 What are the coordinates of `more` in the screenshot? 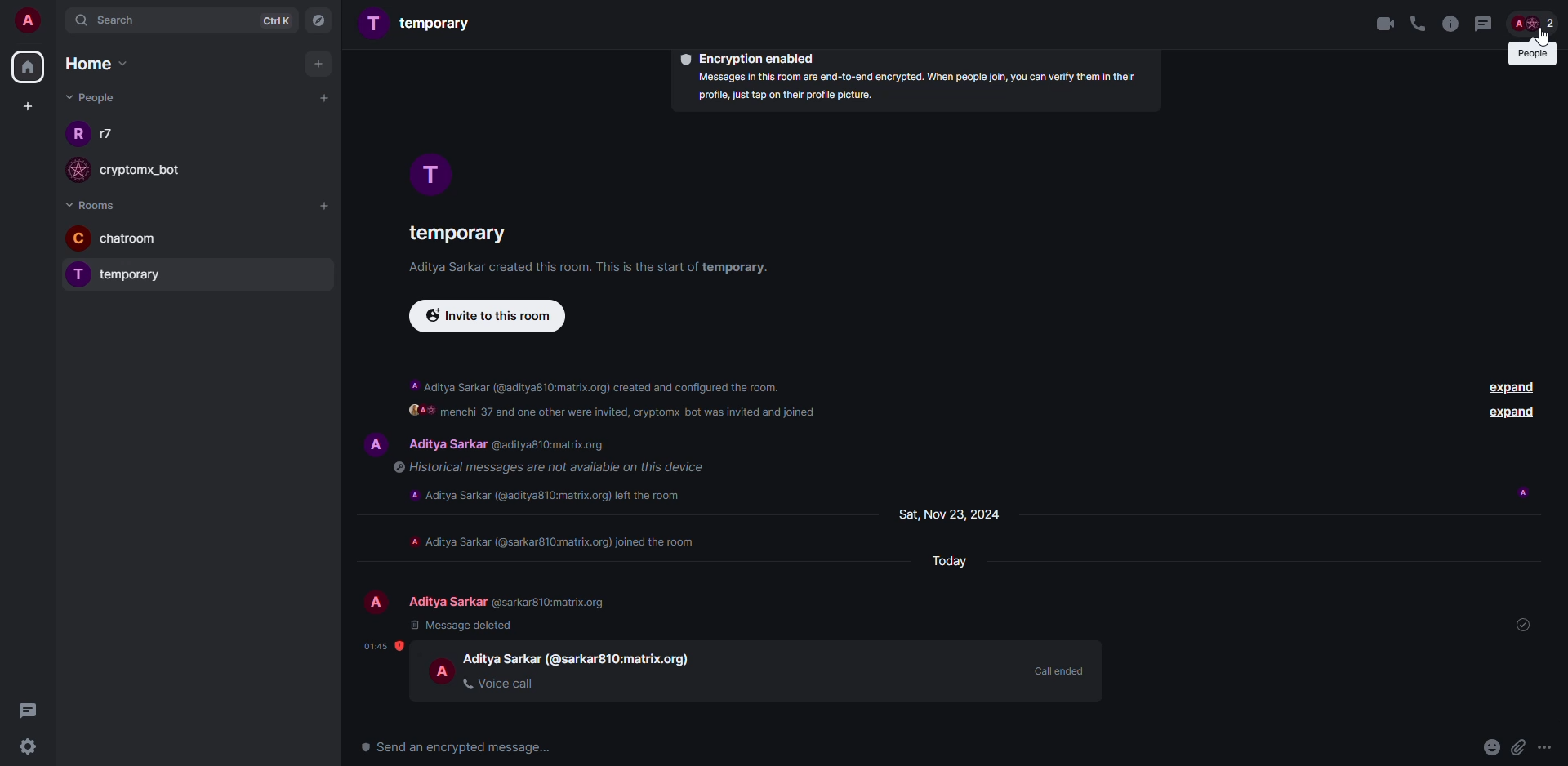 It's located at (1546, 746).